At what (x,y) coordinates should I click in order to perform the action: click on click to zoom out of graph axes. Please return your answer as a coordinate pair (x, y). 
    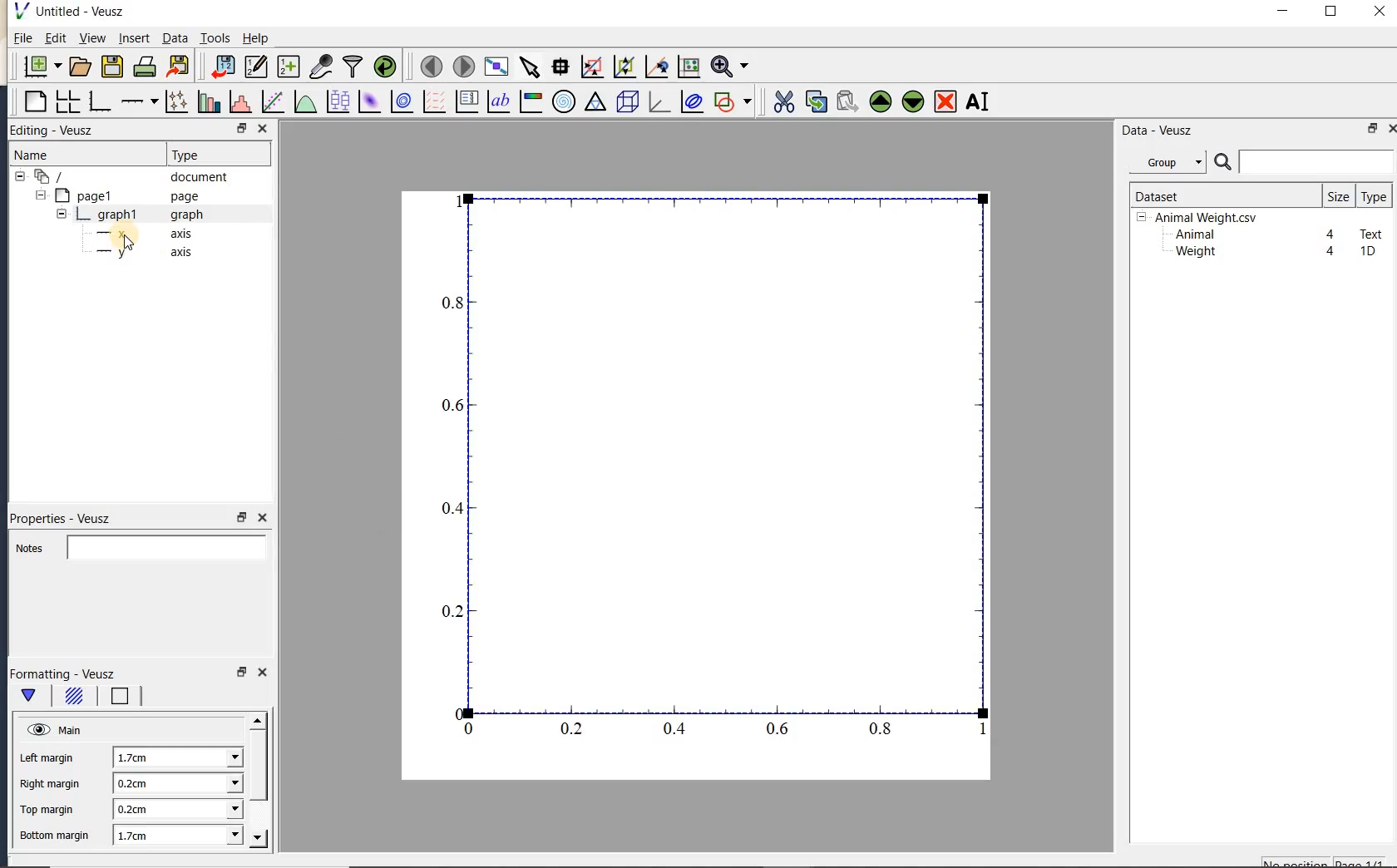
    Looking at the image, I should click on (625, 66).